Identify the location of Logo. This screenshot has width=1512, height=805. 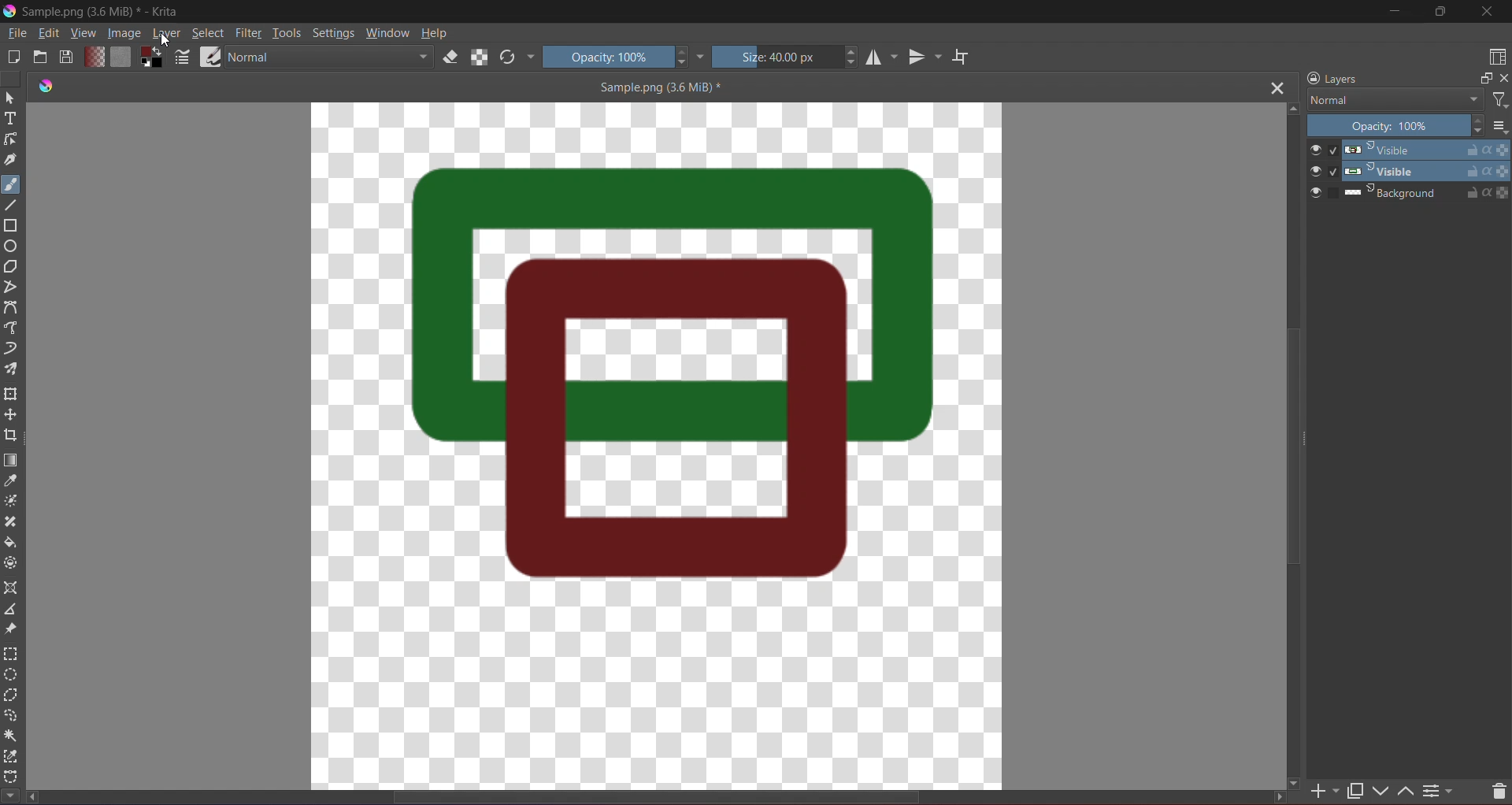
(43, 86).